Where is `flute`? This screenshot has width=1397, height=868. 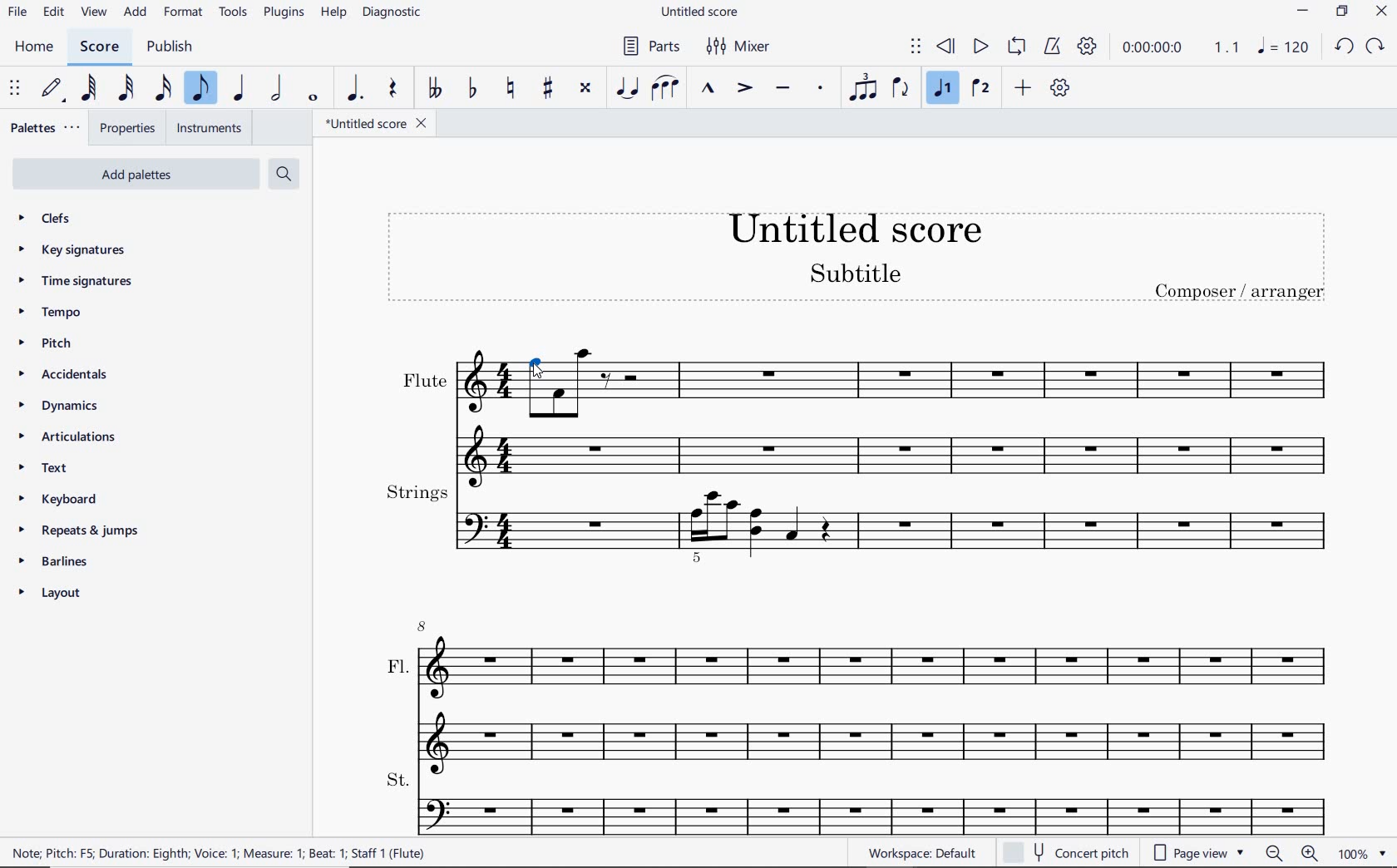 flute is located at coordinates (869, 410).